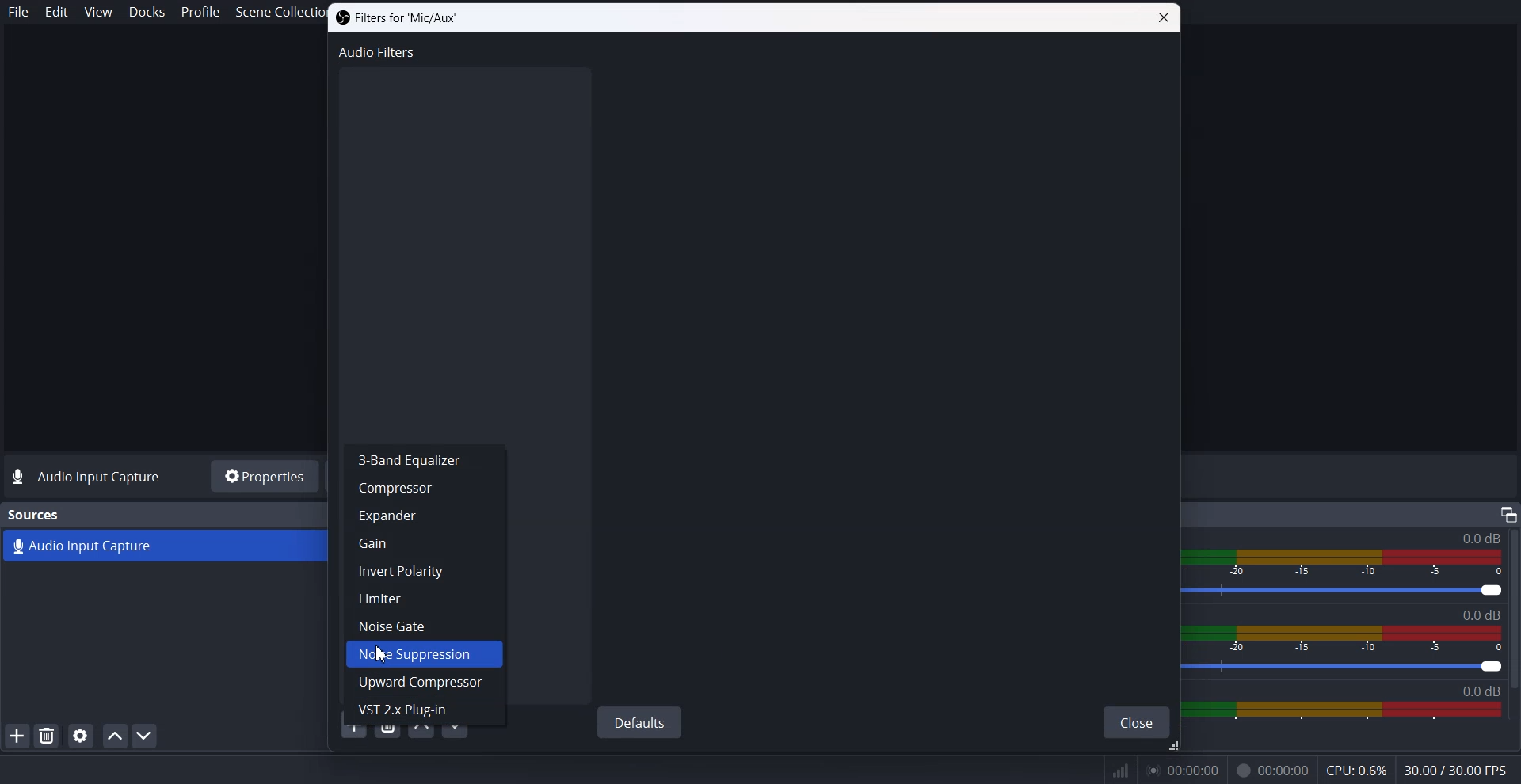 This screenshot has width=1521, height=784. I want to click on VST 2.x Plug-in, so click(425, 721).